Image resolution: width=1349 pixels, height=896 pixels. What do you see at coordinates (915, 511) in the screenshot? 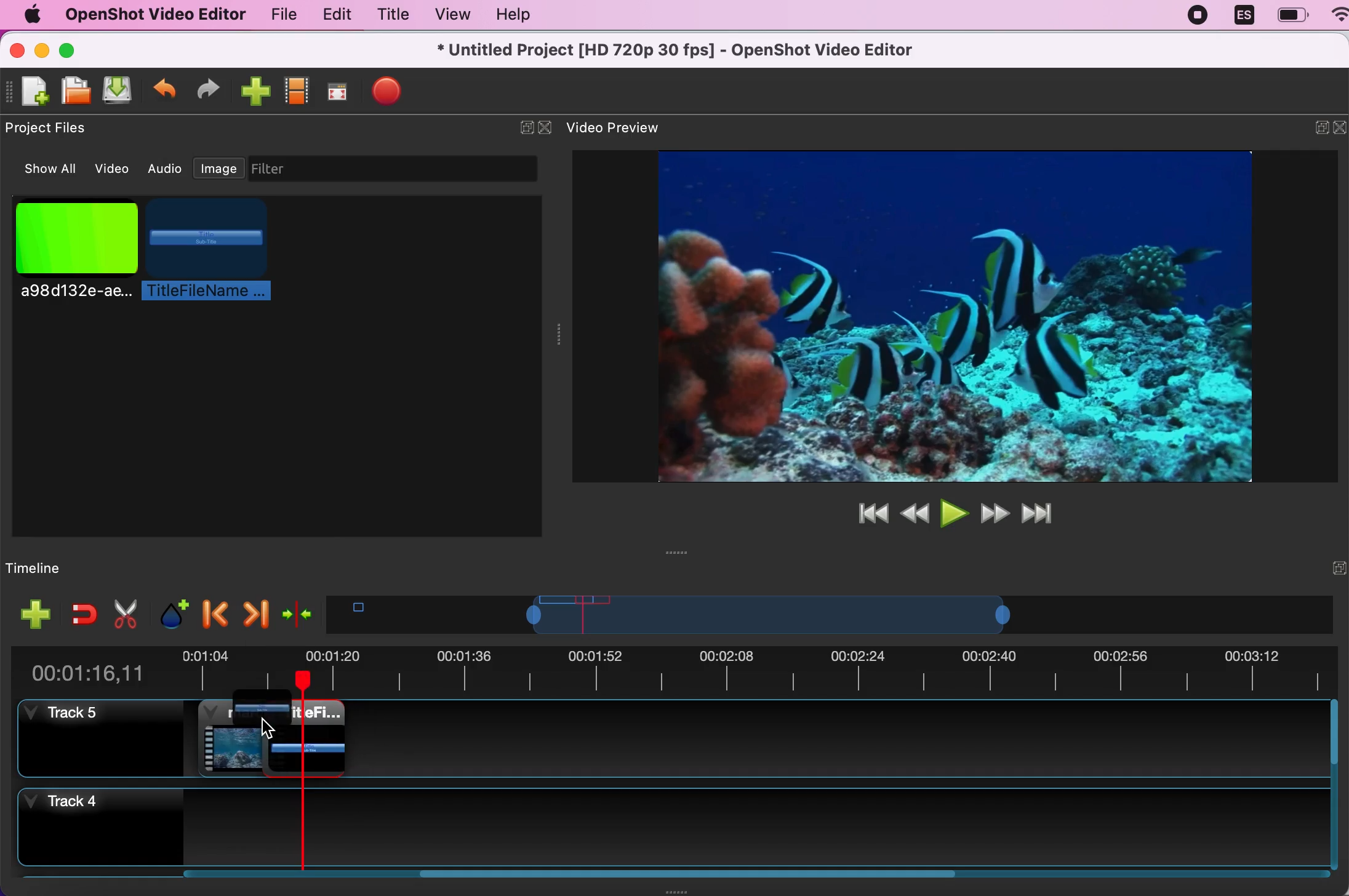
I see `rewind` at bounding box center [915, 511].